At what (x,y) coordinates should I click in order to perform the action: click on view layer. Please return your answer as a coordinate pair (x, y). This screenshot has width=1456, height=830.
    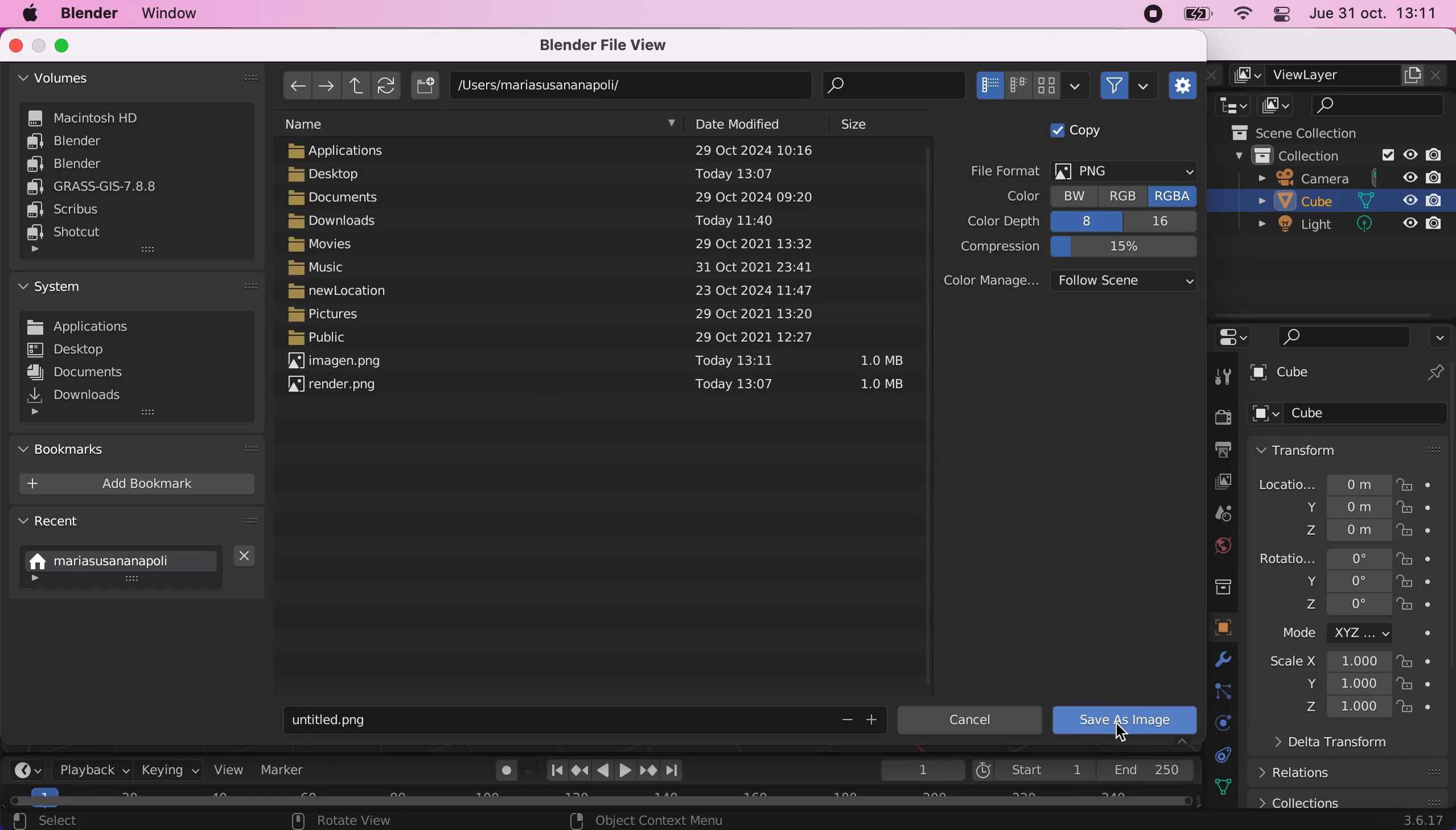
    Looking at the image, I should click on (1341, 75).